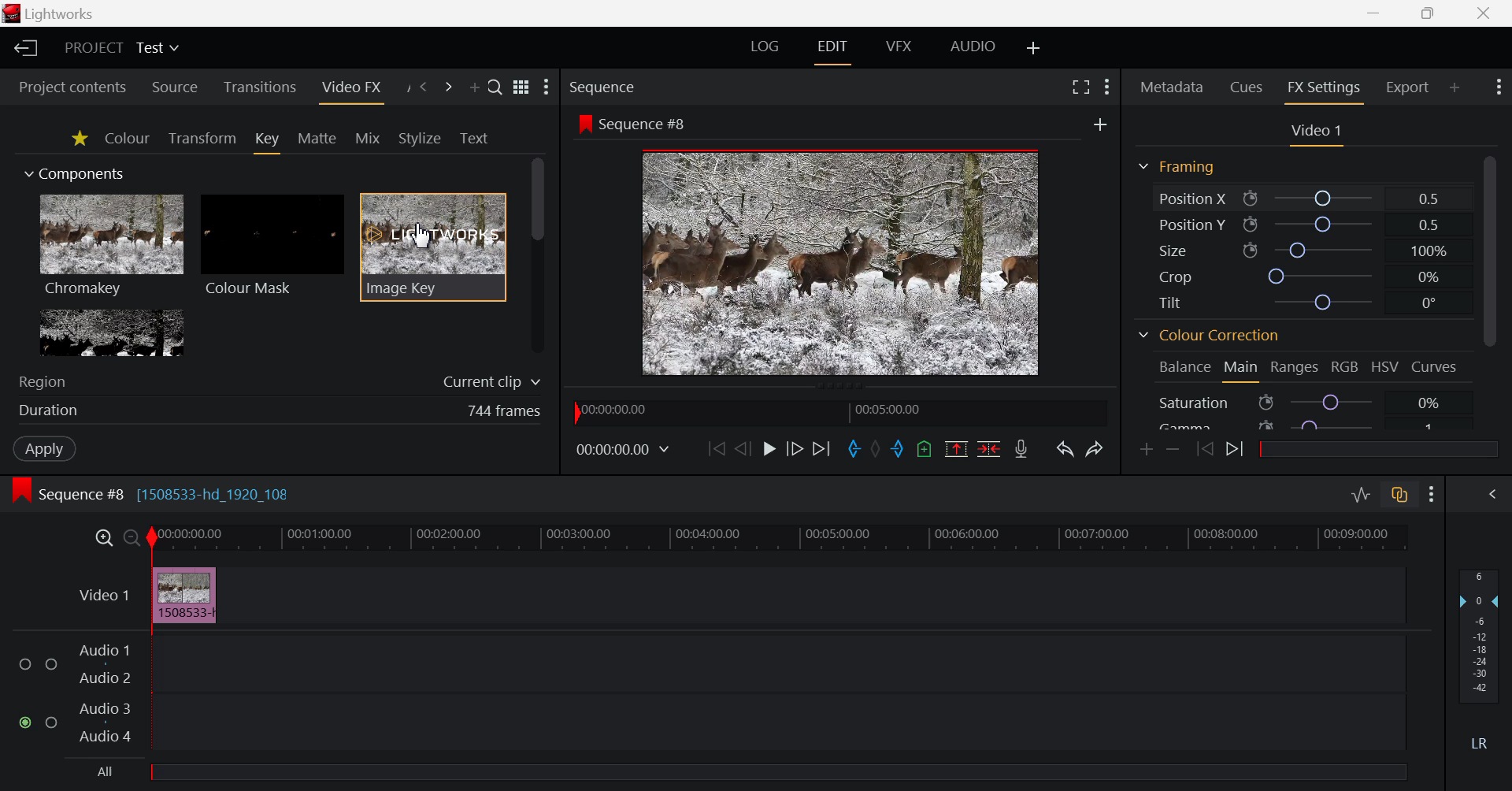 The width and height of the screenshot is (1512, 791). Describe the element at coordinates (1167, 303) in the screenshot. I see `Tilt` at that location.